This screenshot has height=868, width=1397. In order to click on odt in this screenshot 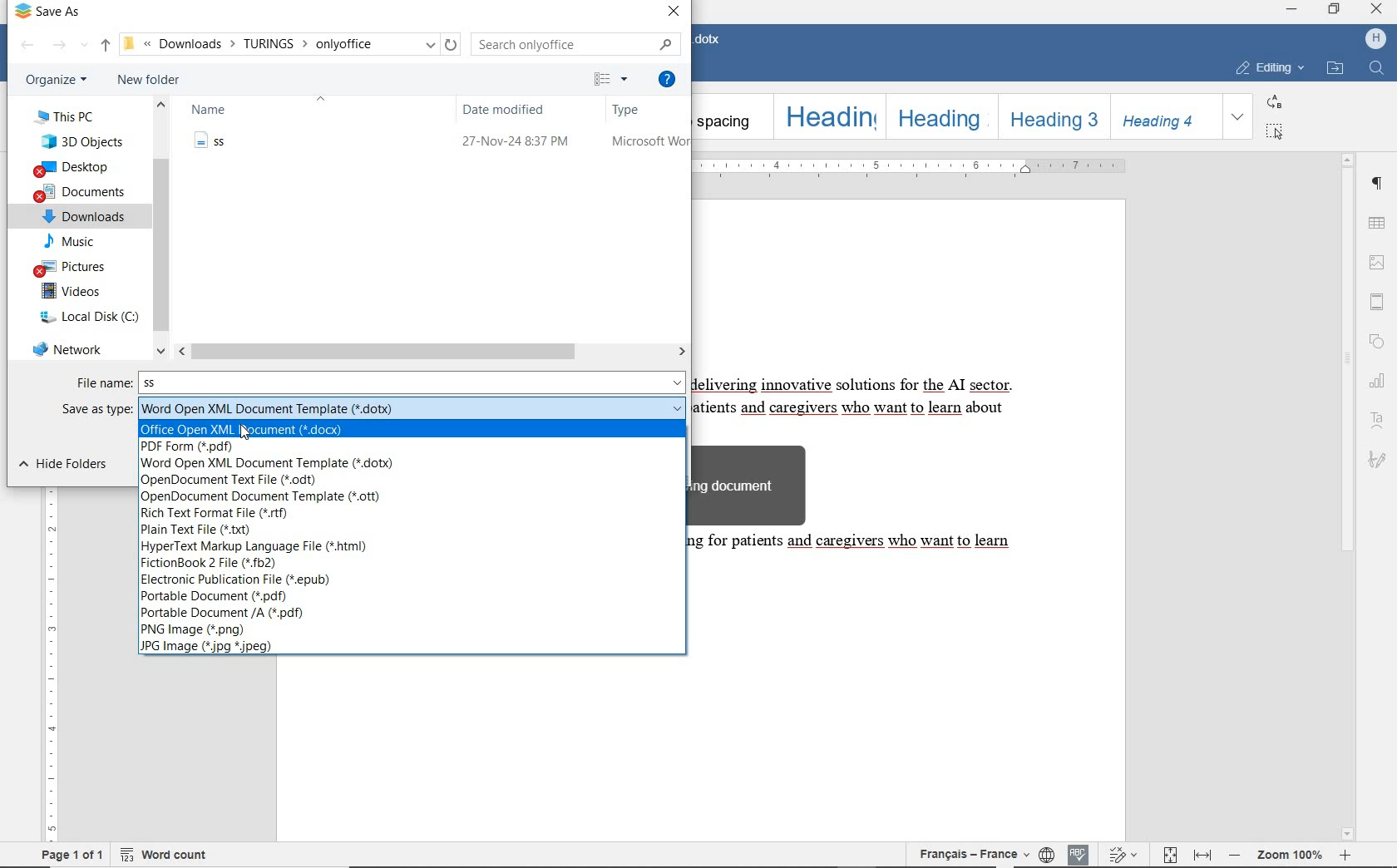, I will do `click(242, 480)`.